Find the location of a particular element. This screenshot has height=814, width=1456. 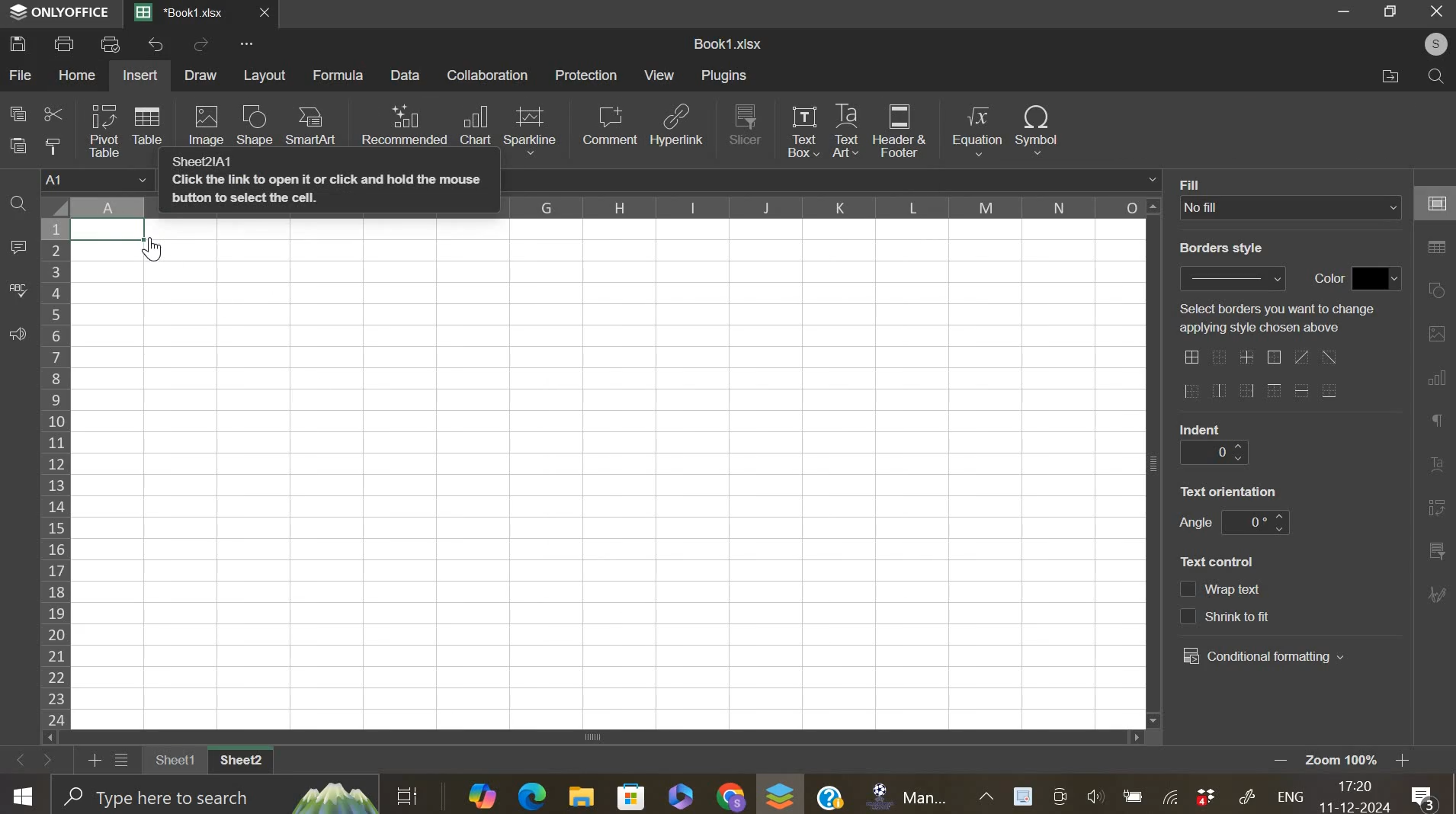

close is located at coordinates (273, 16).